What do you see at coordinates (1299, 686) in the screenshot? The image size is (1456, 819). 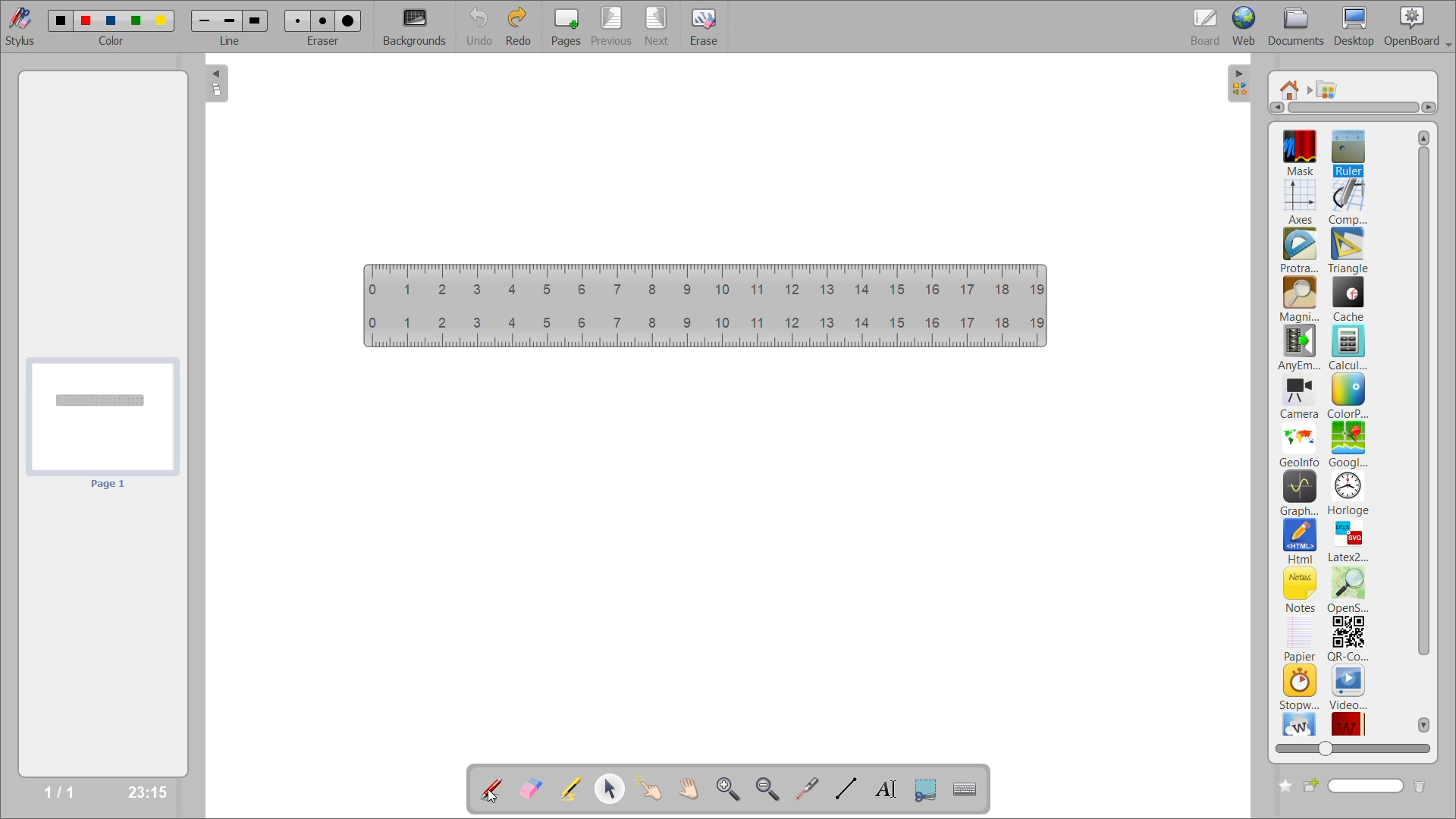 I see `stopwatch` at bounding box center [1299, 686].